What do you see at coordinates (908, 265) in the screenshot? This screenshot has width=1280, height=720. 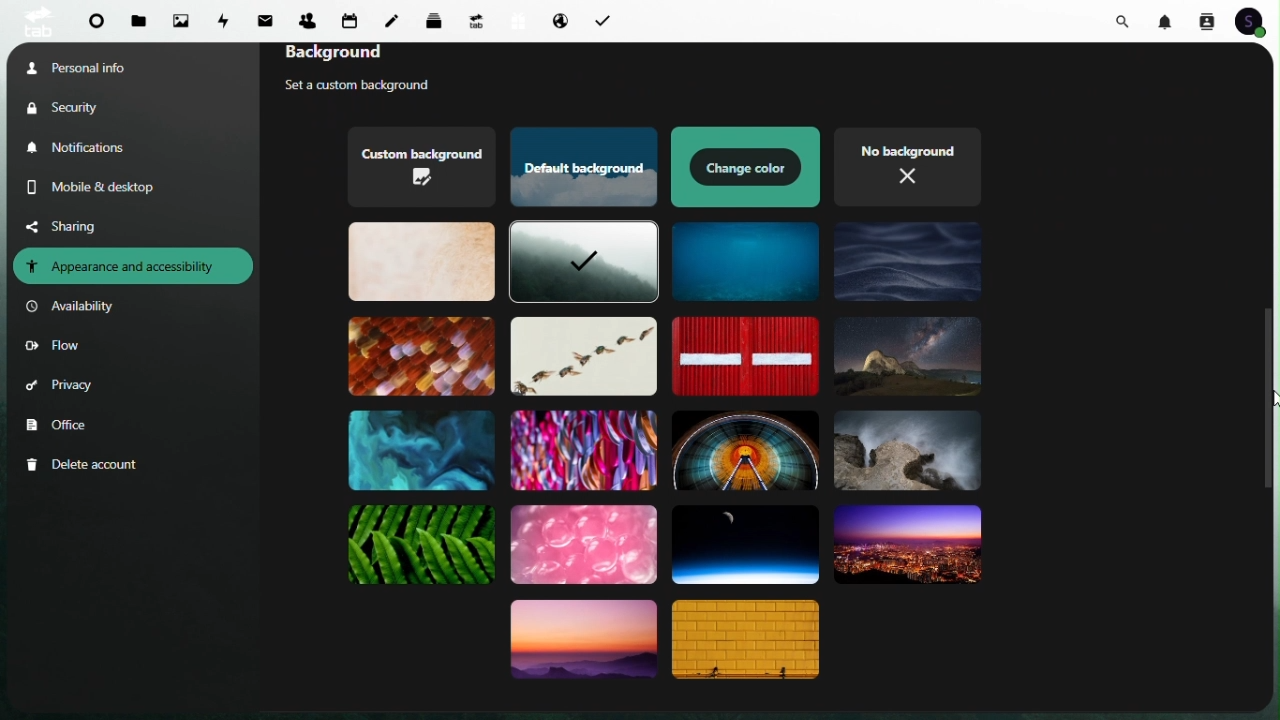 I see `Themes` at bounding box center [908, 265].